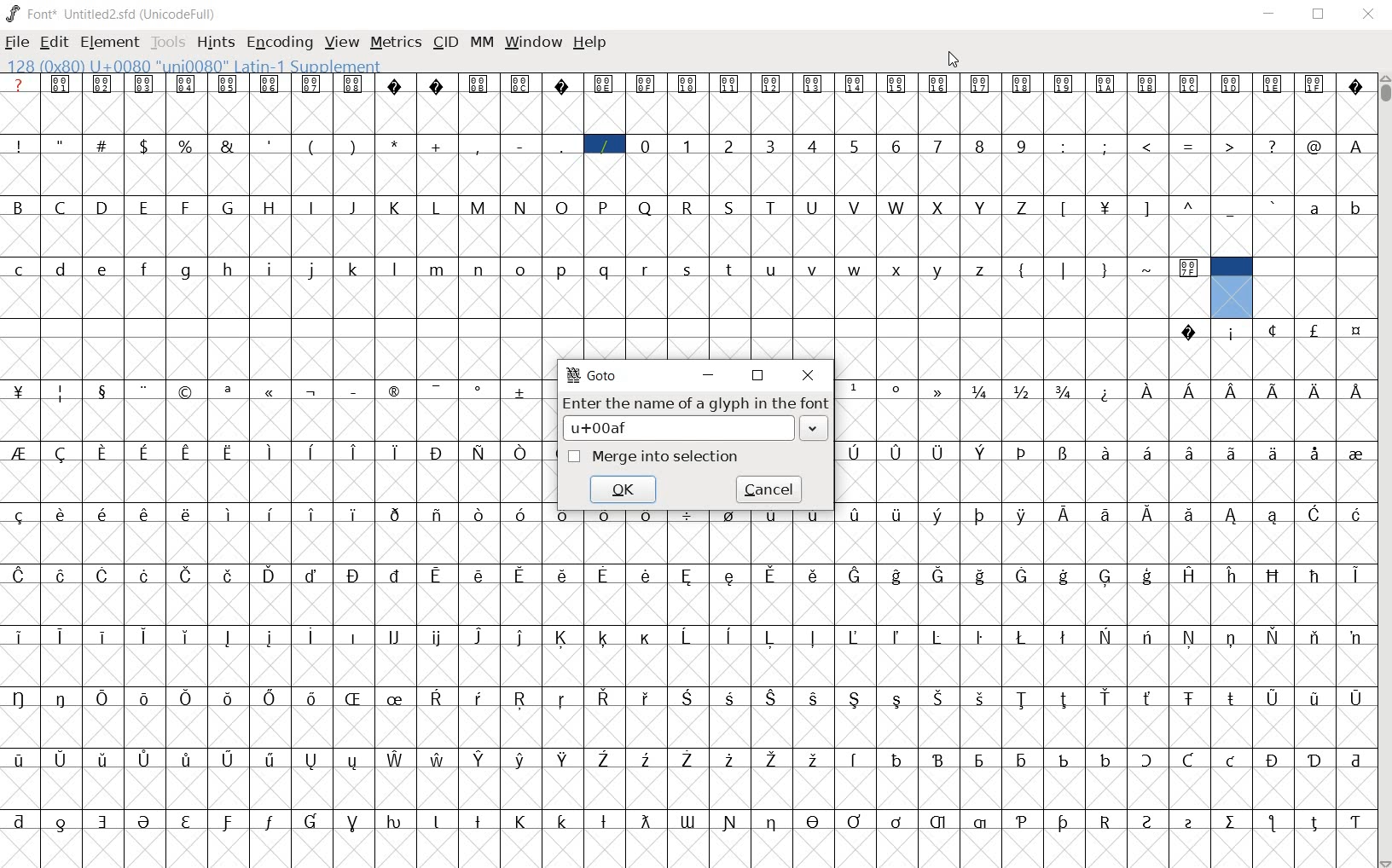  I want to click on Symbol, so click(1149, 820).